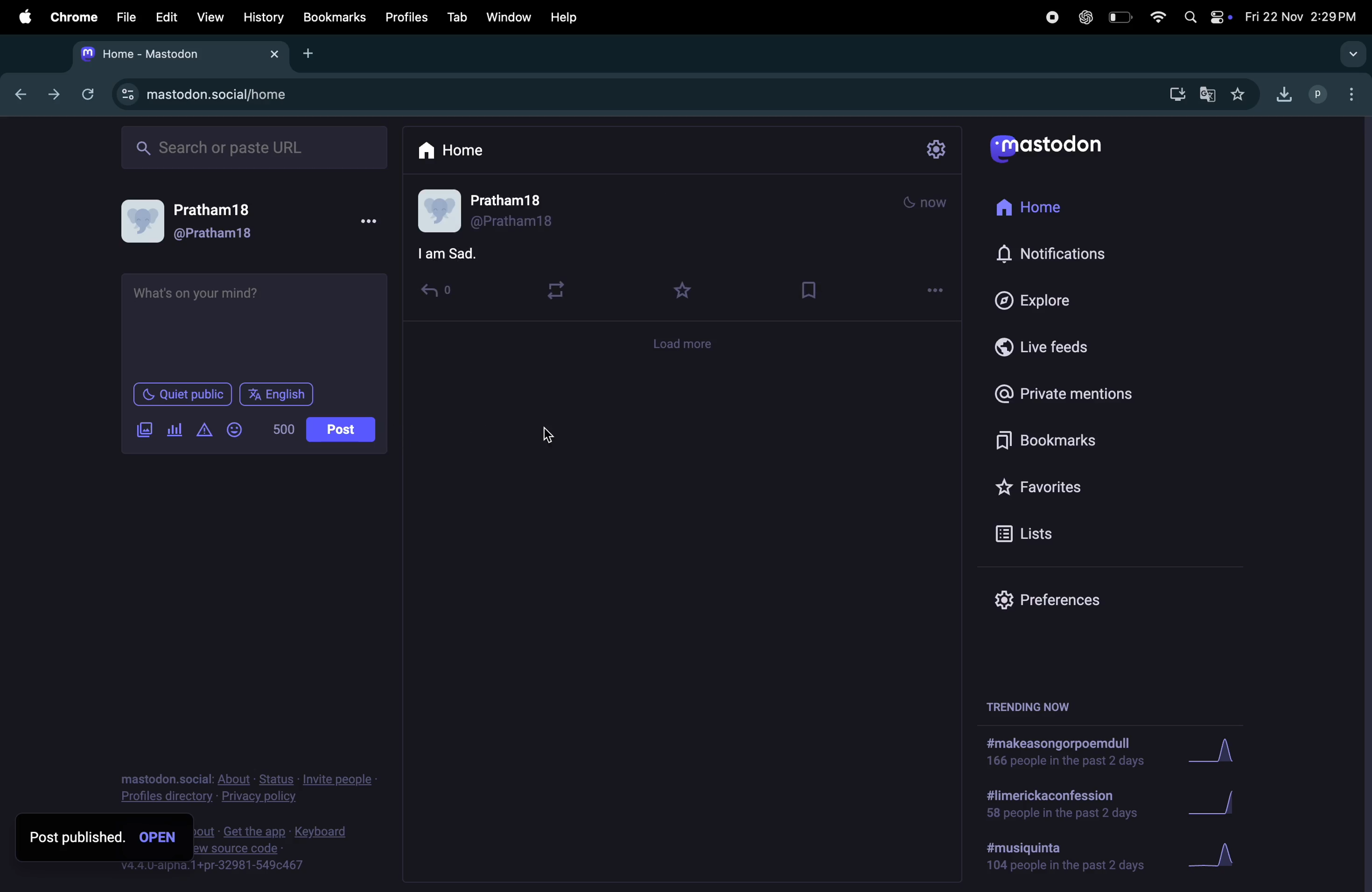 This screenshot has width=1372, height=892. Describe the element at coordinates (455, 16) in the screenshot. I see `tab` at that location.